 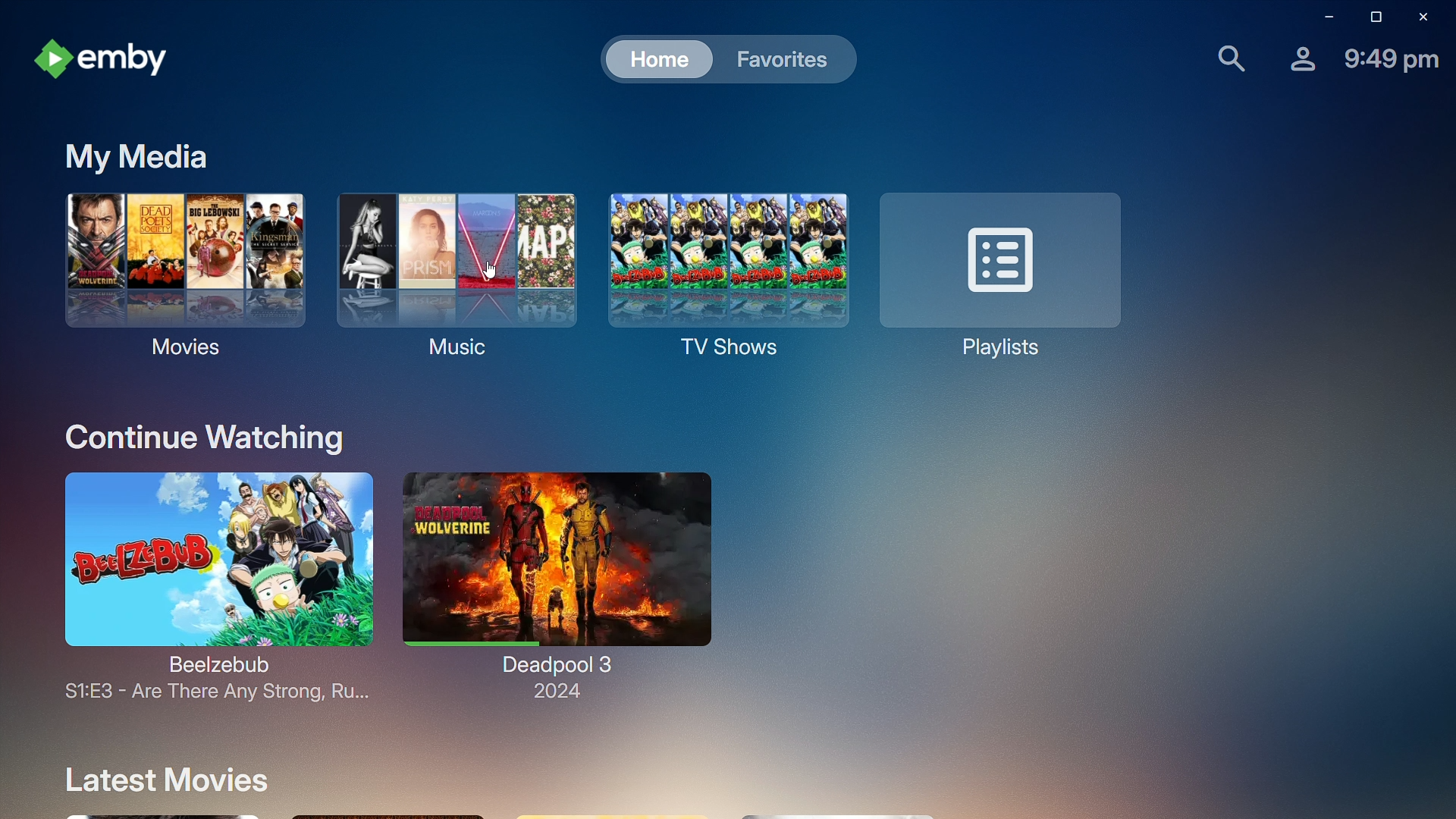 What do you see at coordinates (1391, 57) in the screenshot?
I see `Time` at bounding box center [1391, 57].